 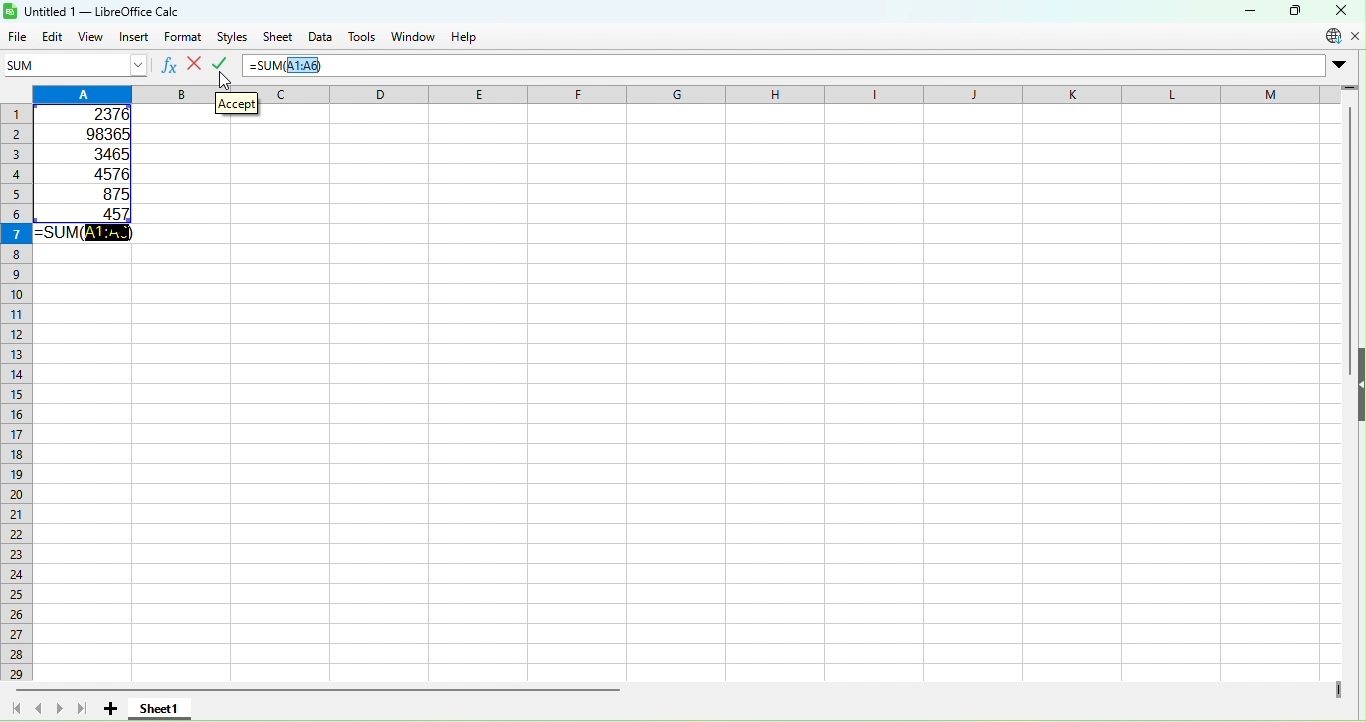 I want to click on 3465, so click(x=106, y=153).